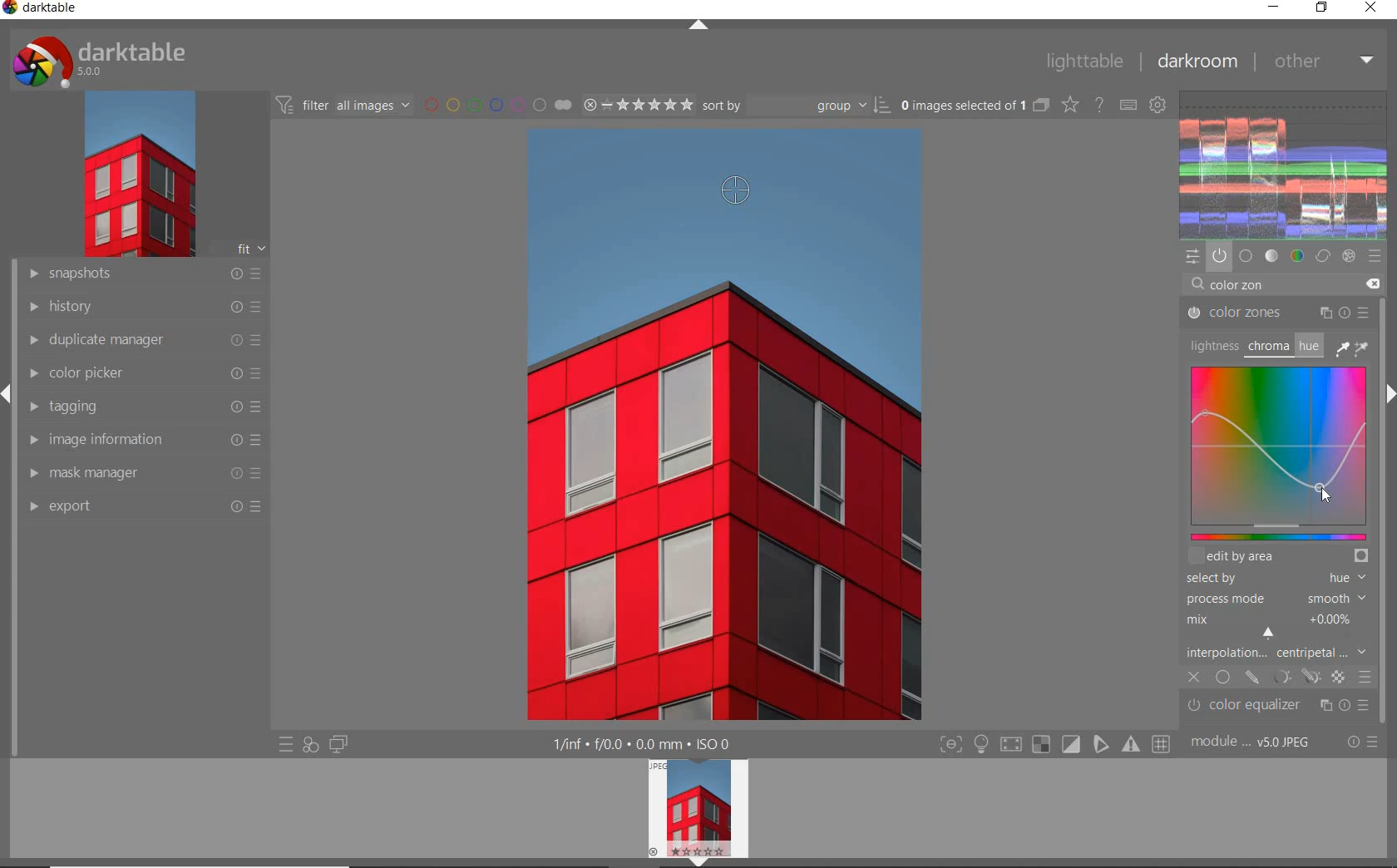 The width and height of the screenshot is (1397, 868). I want to click on color picker, so click(142, 376).